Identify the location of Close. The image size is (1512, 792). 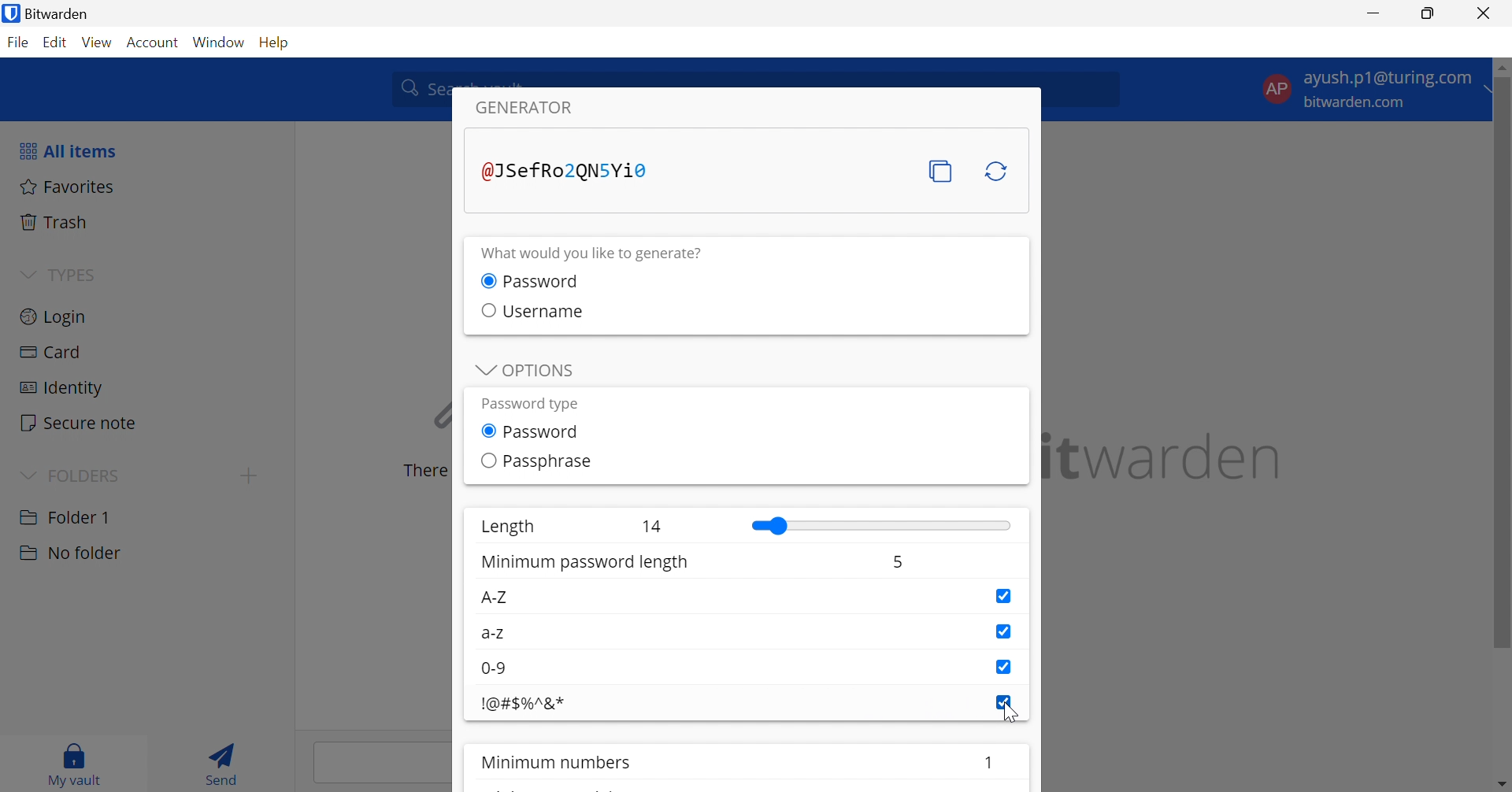
(1486, 13).